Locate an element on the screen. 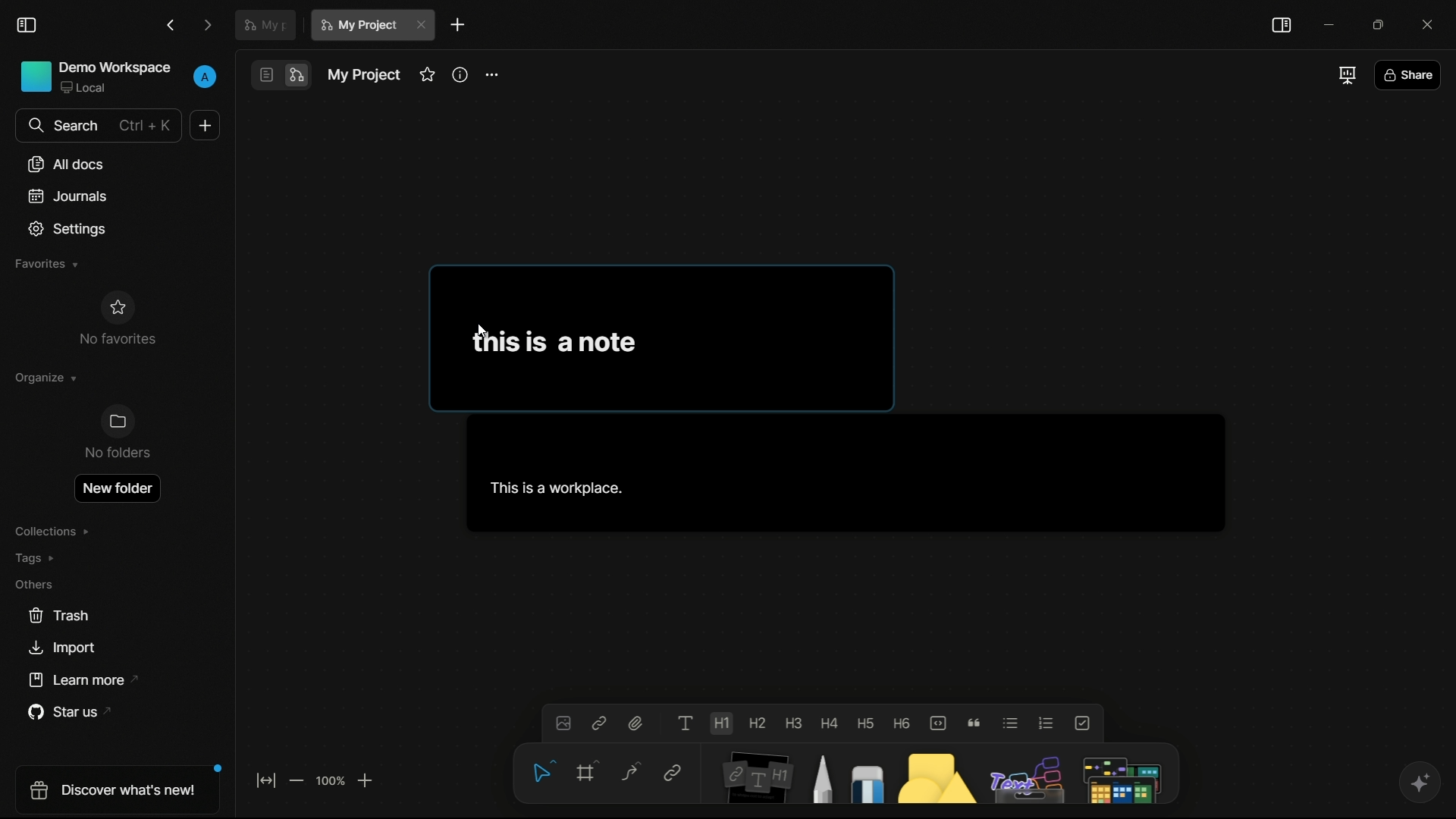  close is located at coordinates (422, 24).